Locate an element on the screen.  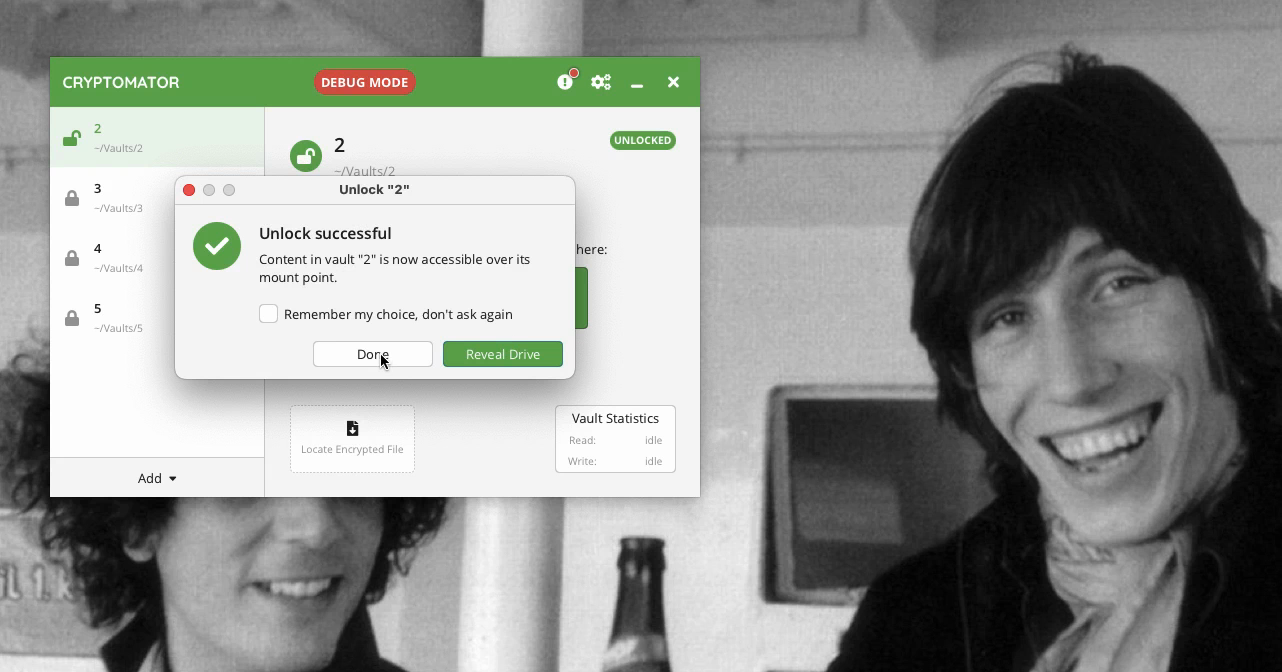
Loading is located at coordinates (304, 156).